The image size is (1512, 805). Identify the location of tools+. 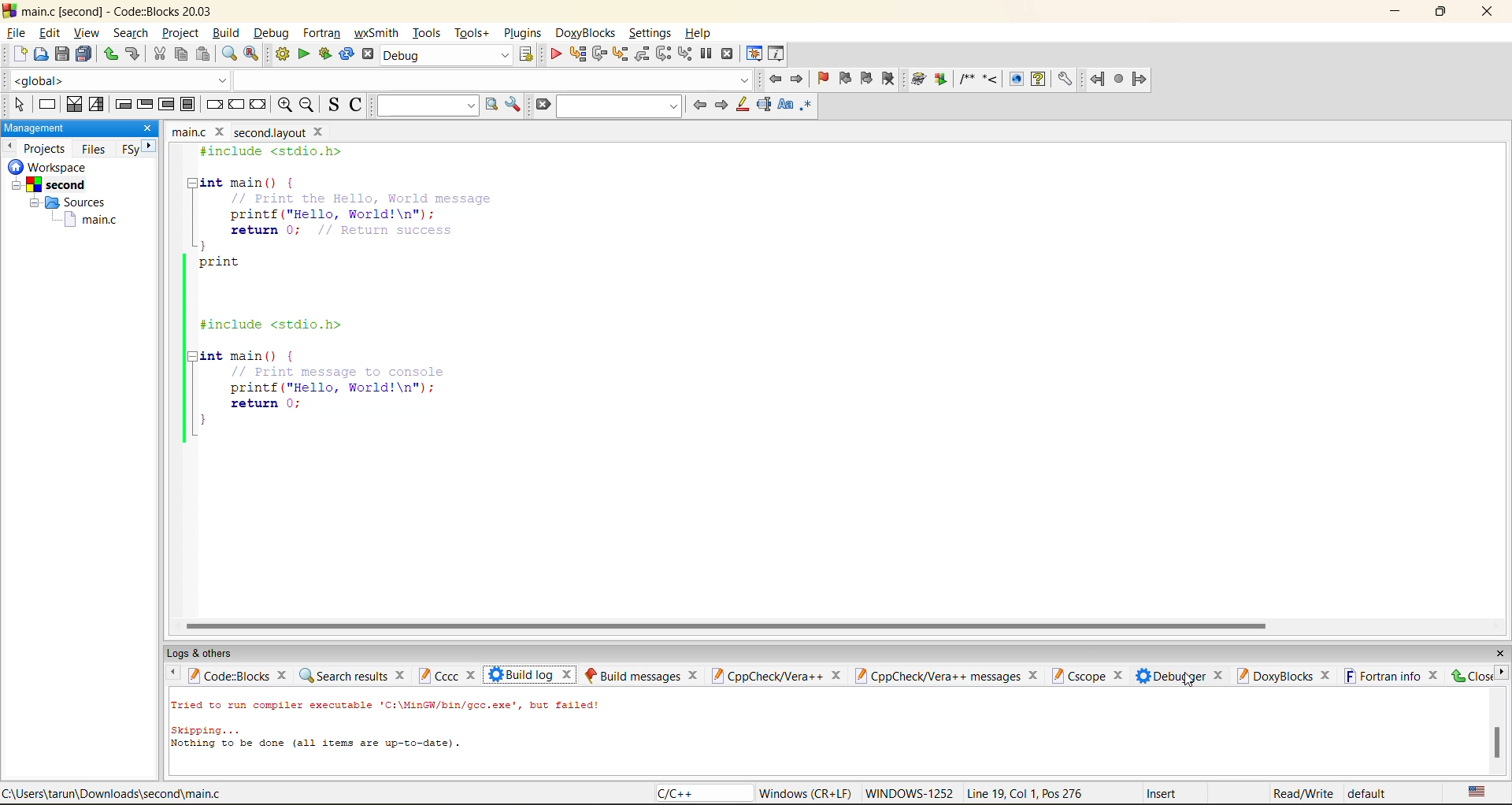
(472, 33).